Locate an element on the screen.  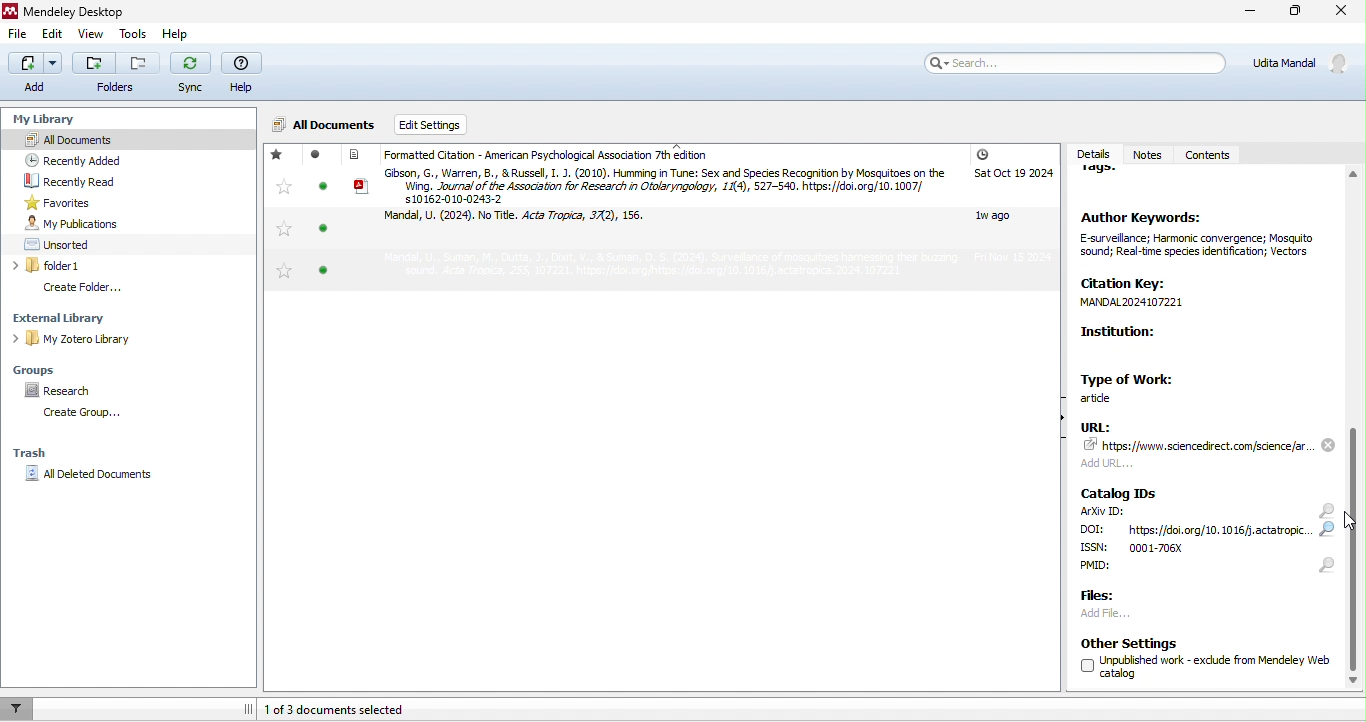
create group is located at coordinates (86, 414).